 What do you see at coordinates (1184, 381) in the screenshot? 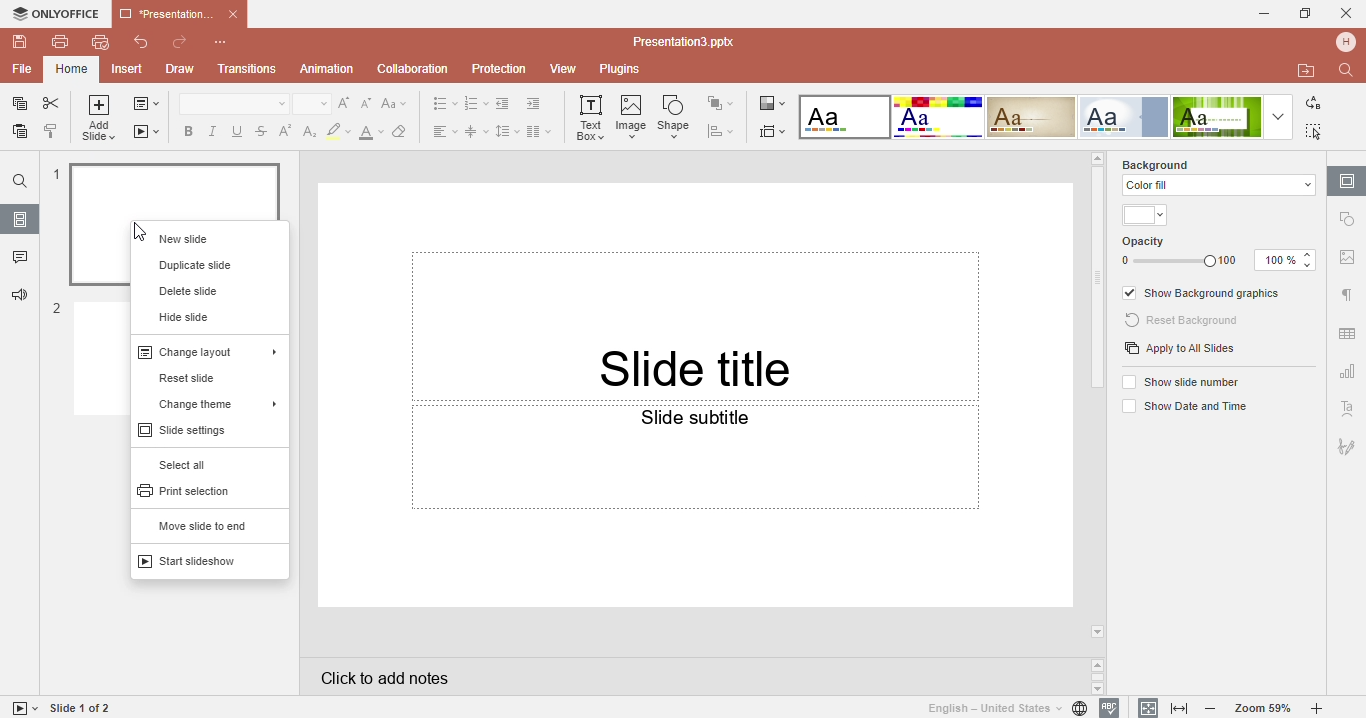
I see `Show slide numbers` at bounding box center [1184, 381].